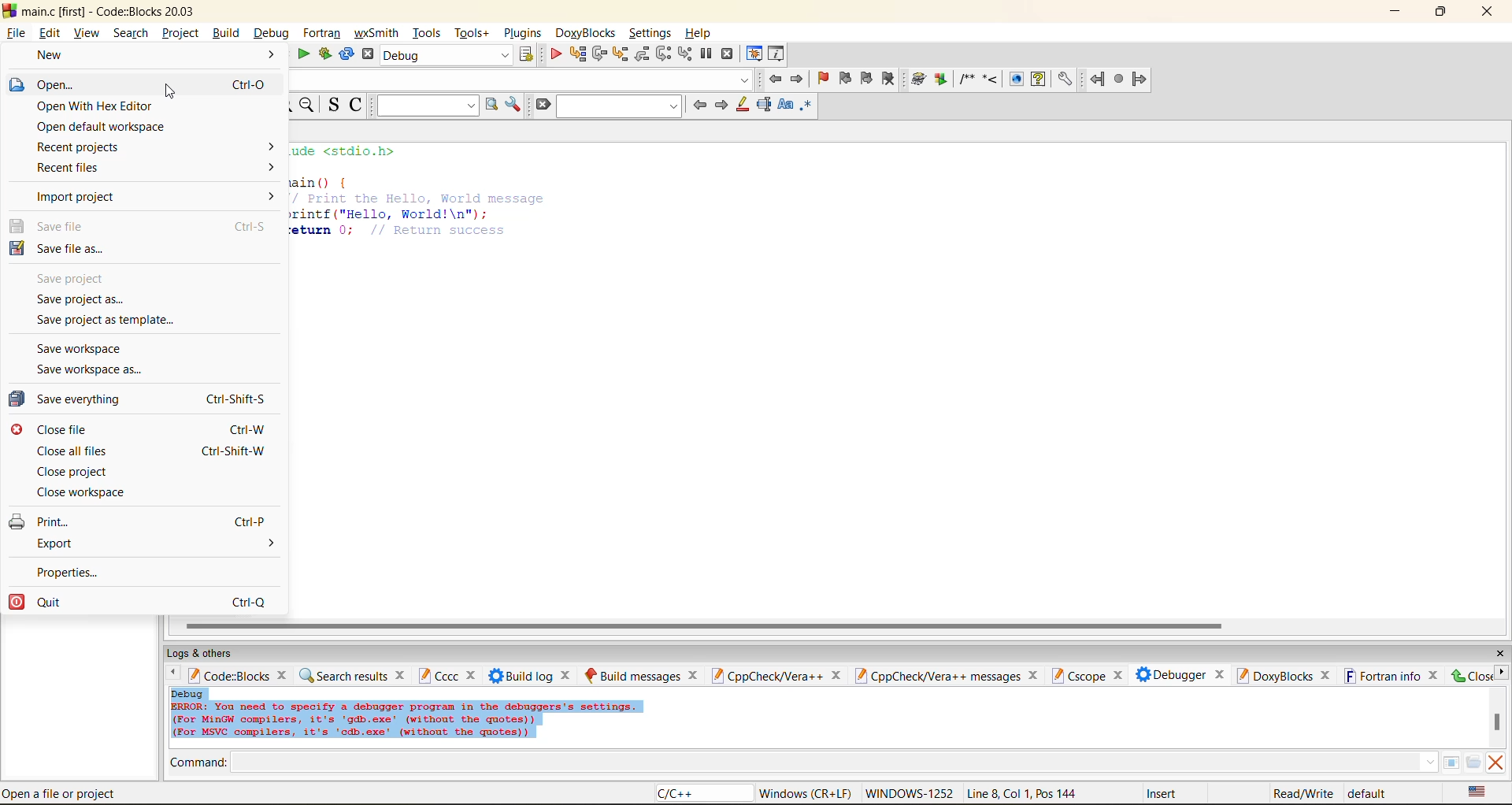 This screenshot has width=1512, height=805. I want to click on close, so click(568, 675).